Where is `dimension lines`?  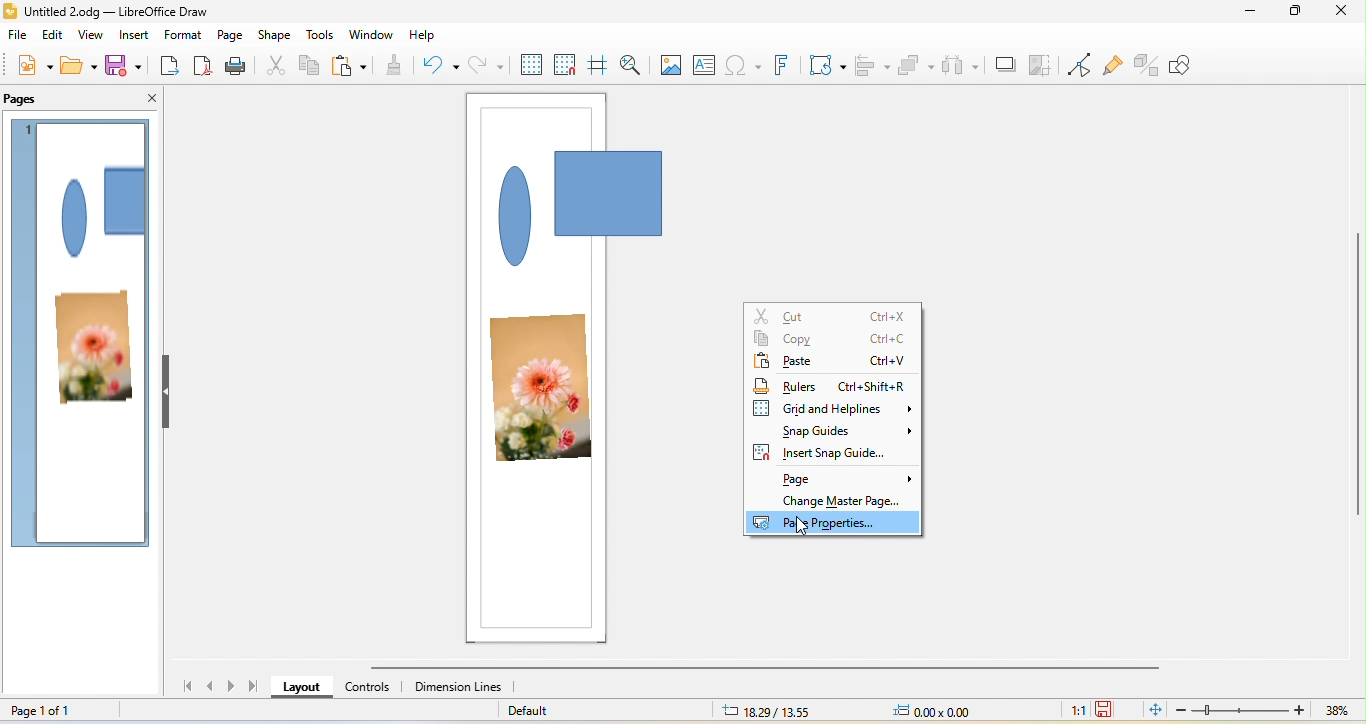
dimension lines is located at coordinates (460, 689).